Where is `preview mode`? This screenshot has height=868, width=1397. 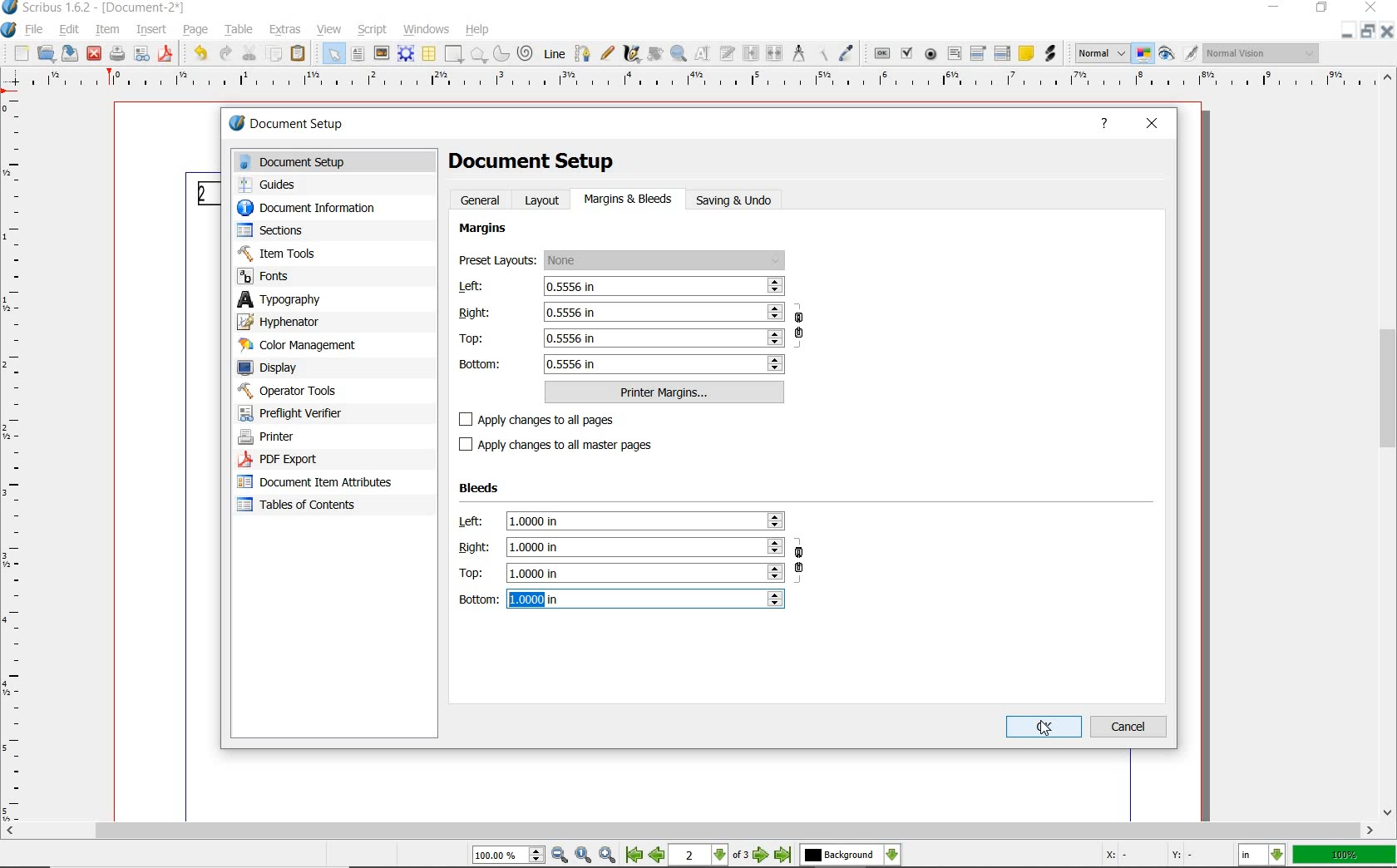 preview mode is located at coordinates (1167, 55).